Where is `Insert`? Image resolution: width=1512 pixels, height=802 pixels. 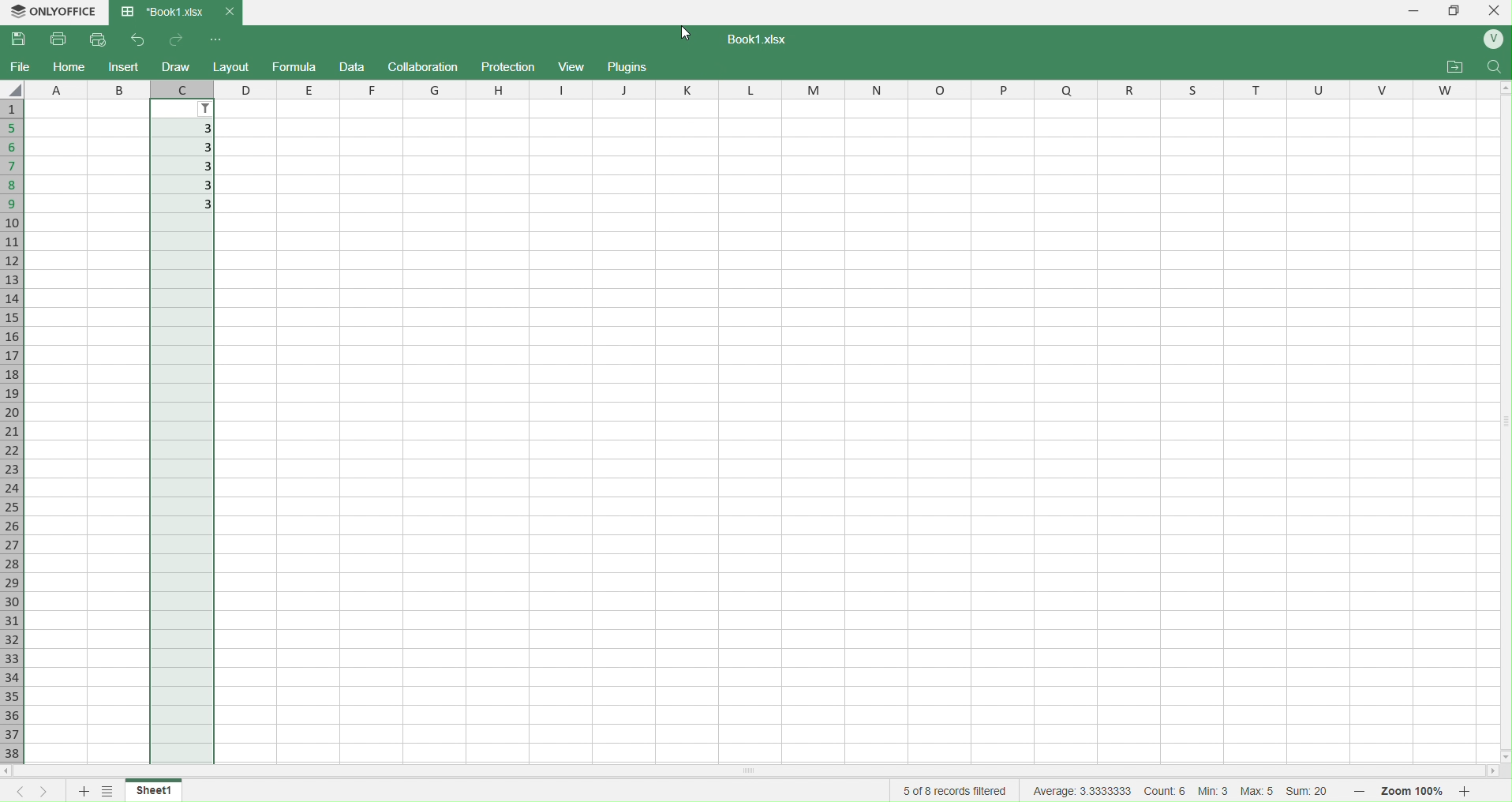 Insert is located at coordinates (125, 66).